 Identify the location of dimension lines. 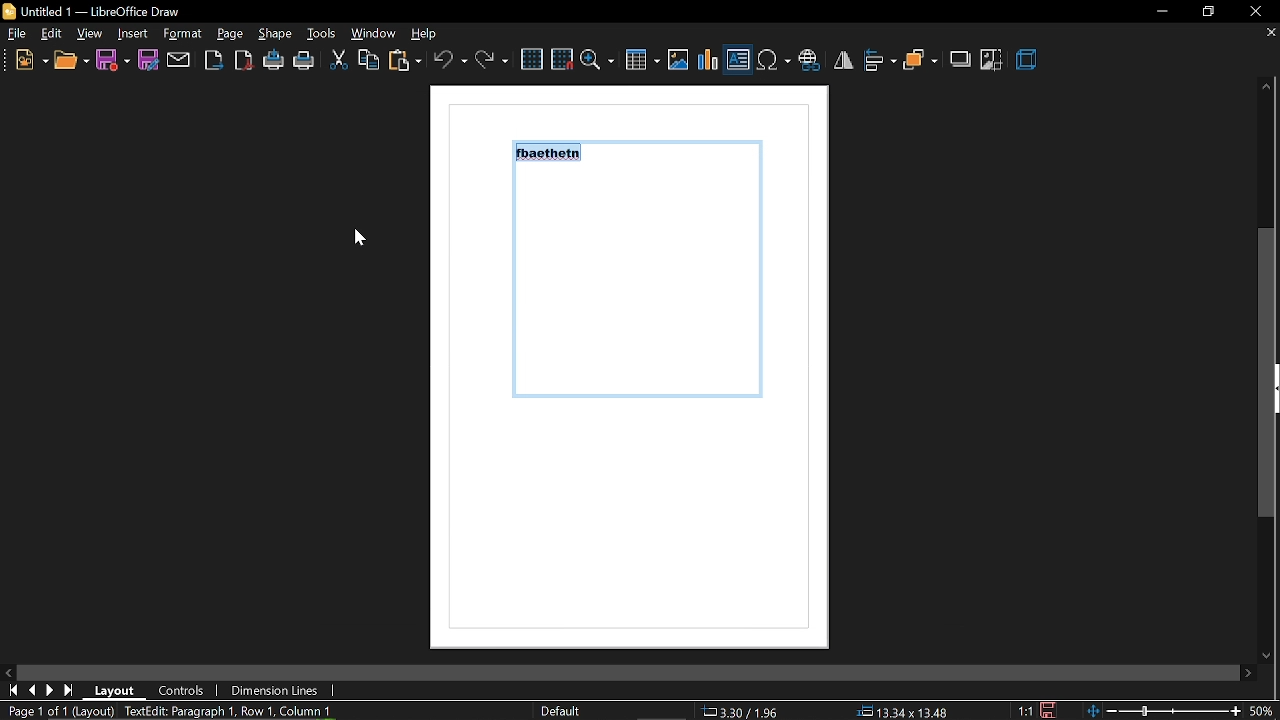
(273, 692).